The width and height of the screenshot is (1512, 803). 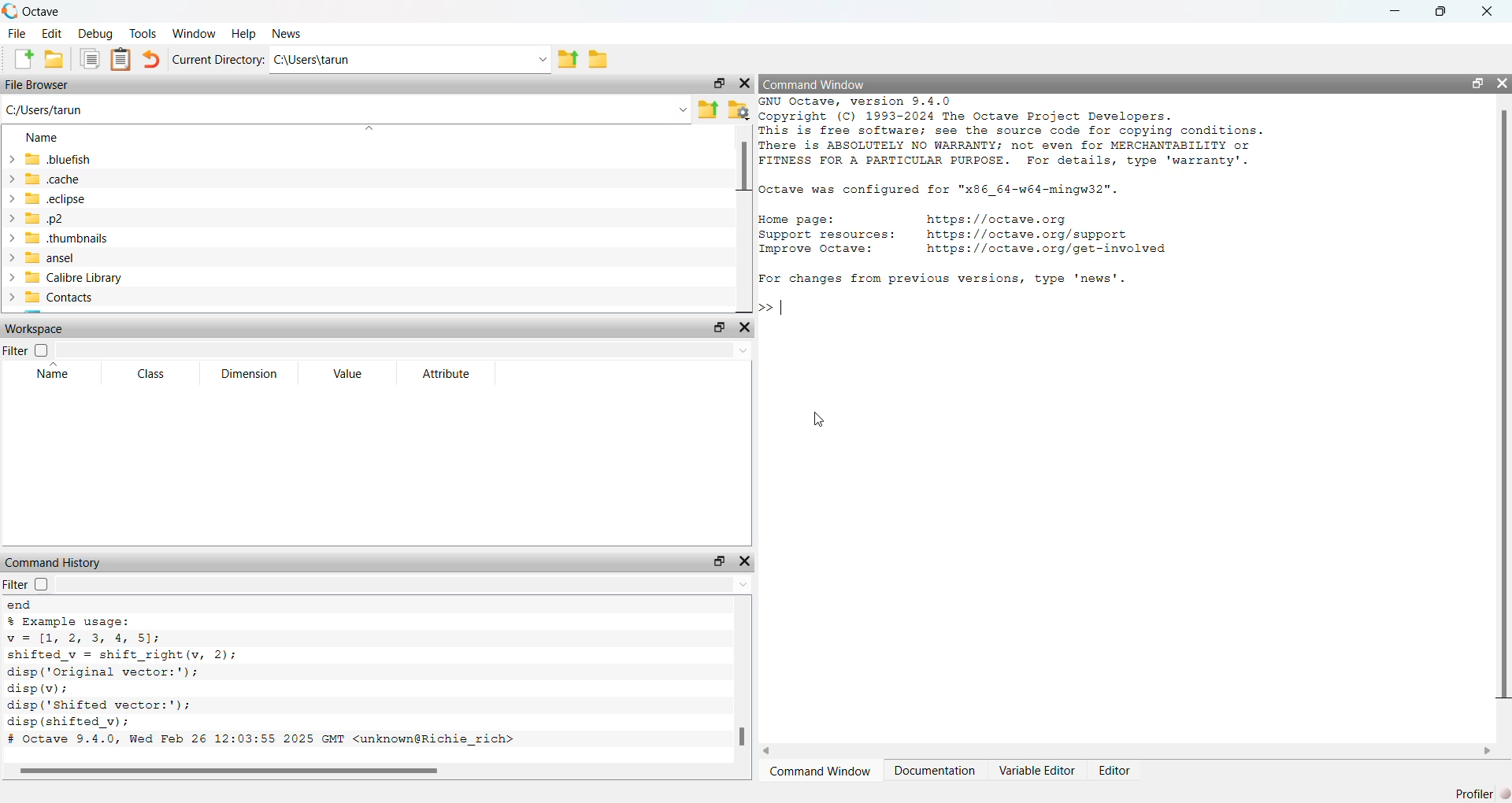 I want to click on close, so click(x=1493, y=11).